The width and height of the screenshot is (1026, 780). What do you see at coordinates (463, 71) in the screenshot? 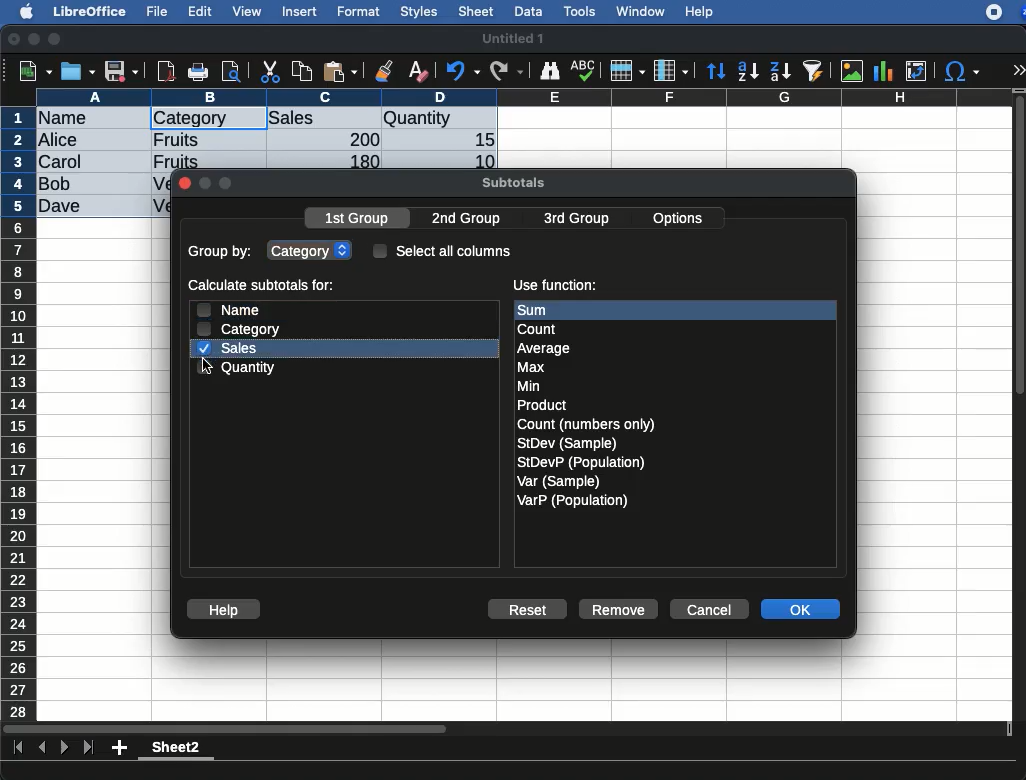
I see `undo` at bounding box center [463, 71].